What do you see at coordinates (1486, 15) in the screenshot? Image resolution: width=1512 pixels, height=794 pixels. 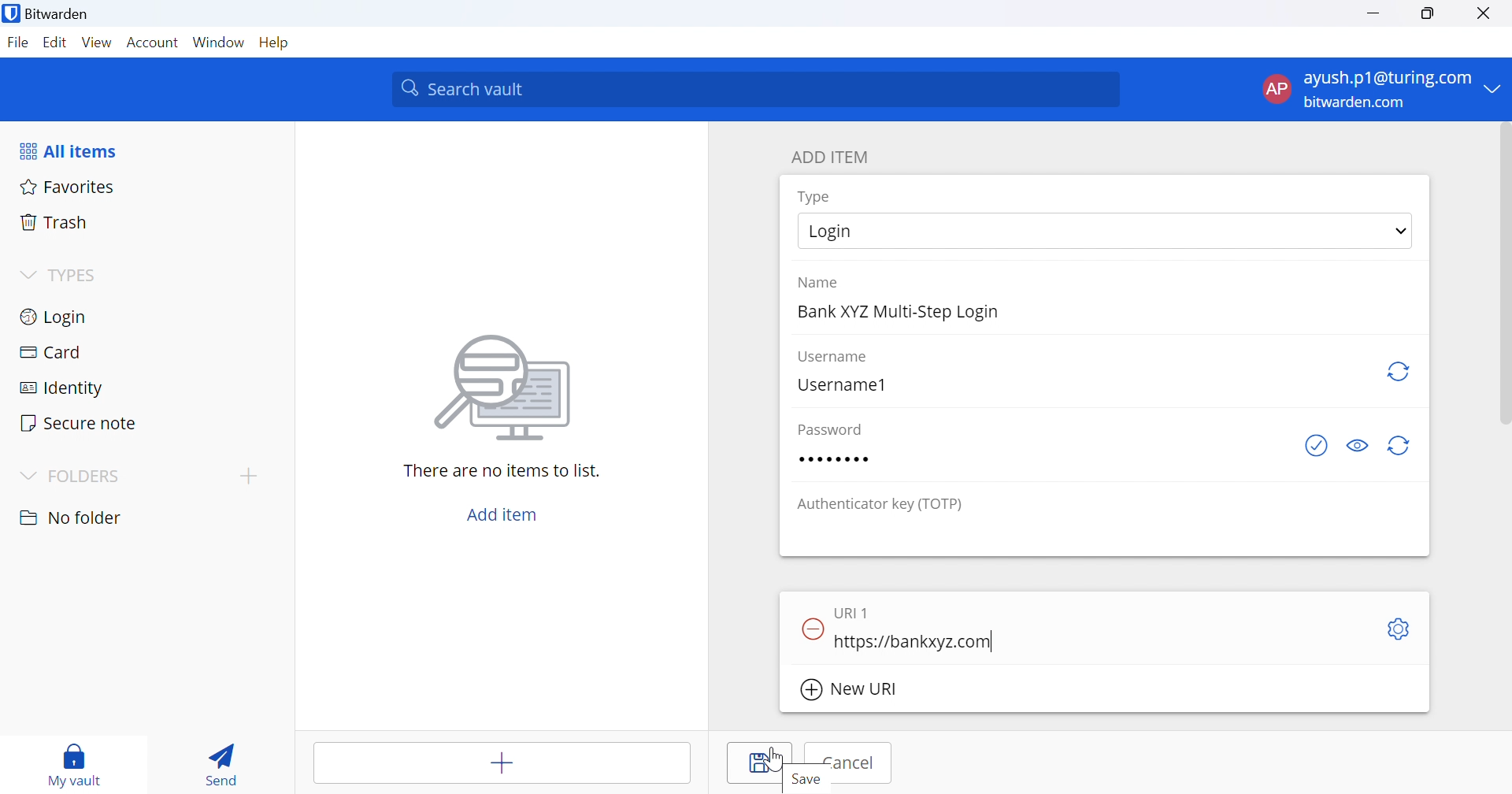 I see `Close` at bounding box center [1486, 15].